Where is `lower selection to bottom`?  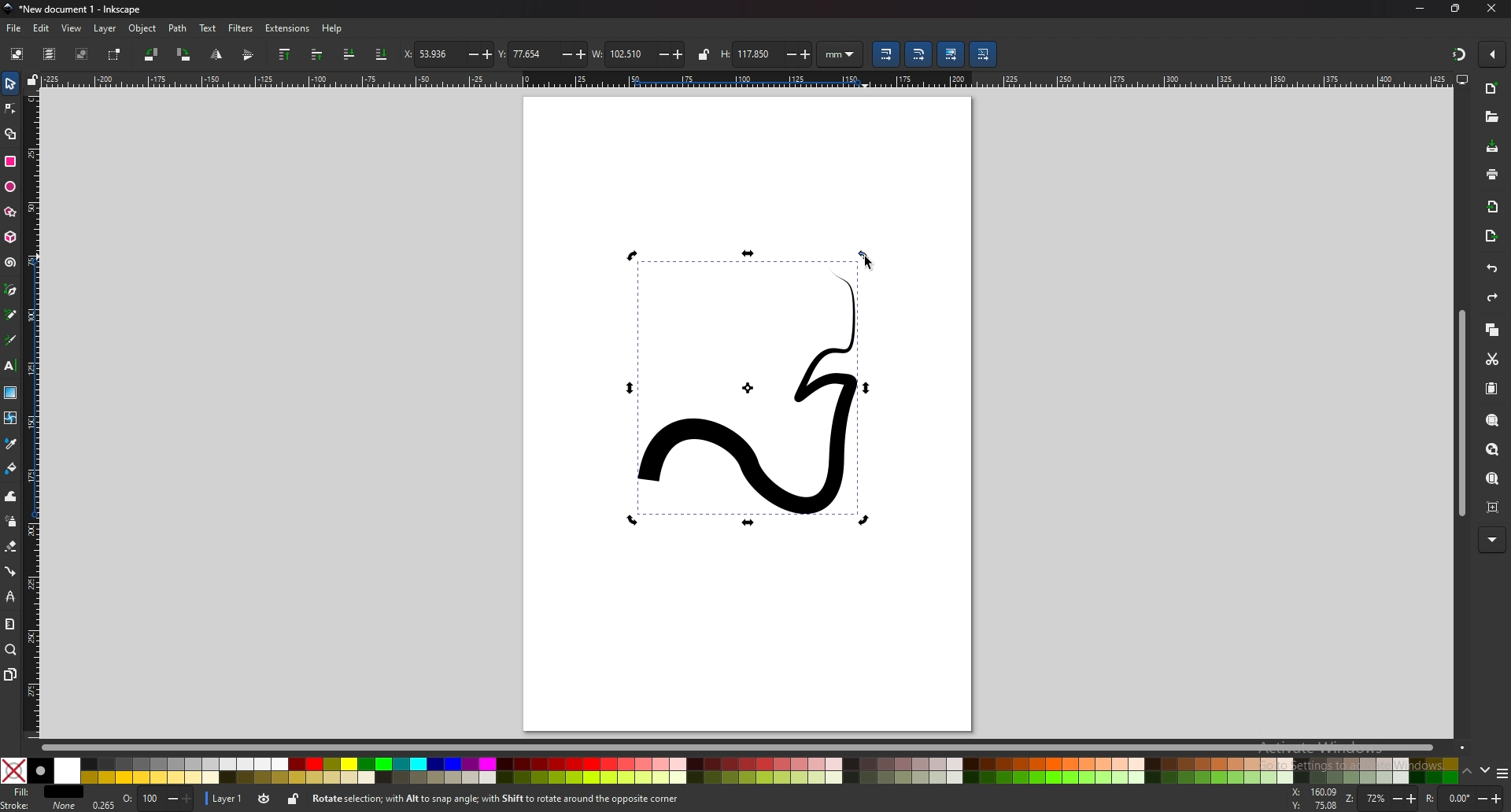 lower selection to bottom is located at coordinates (381, 54).